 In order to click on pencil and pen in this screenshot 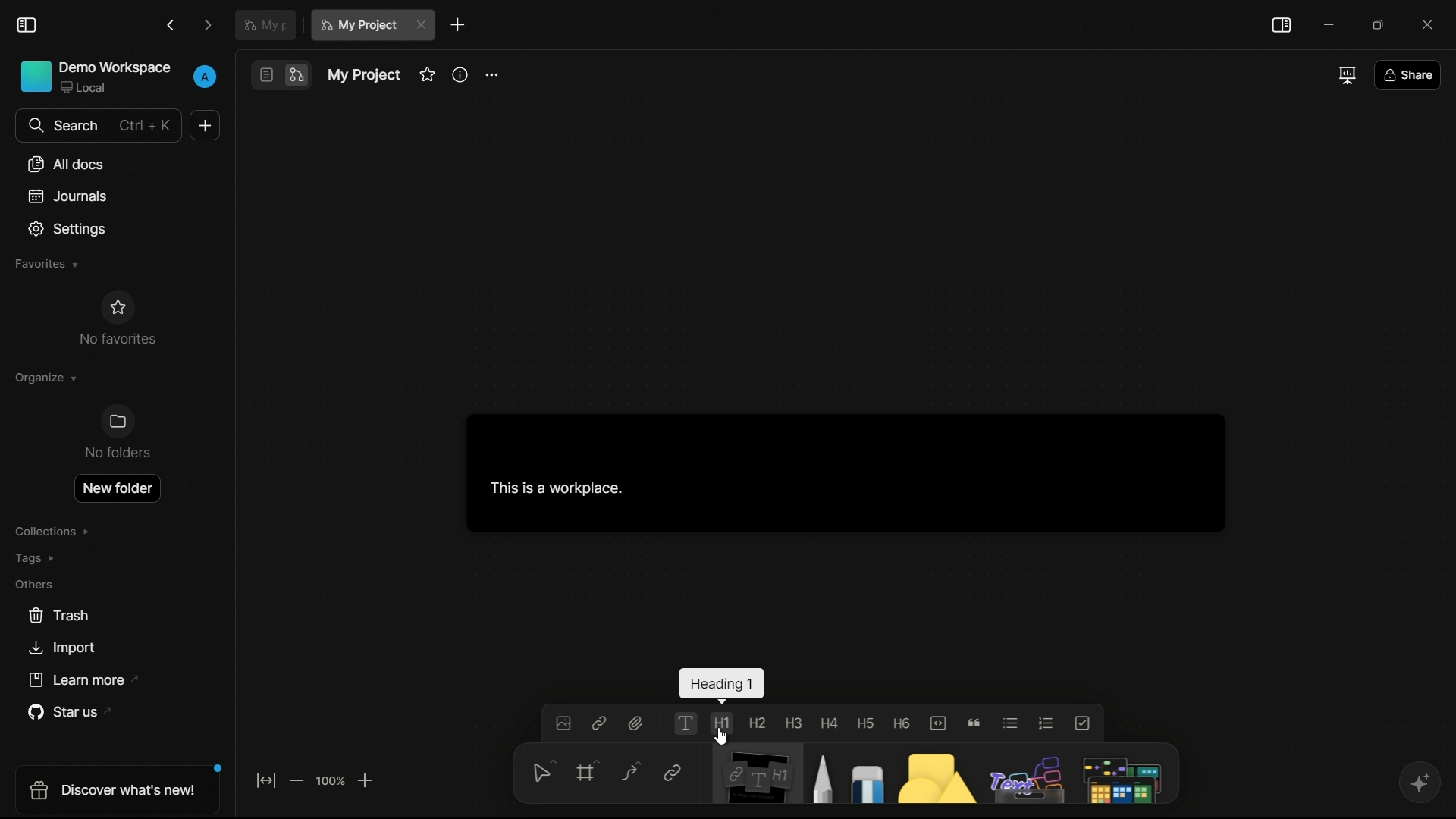, I will do `click(821, 773)`.